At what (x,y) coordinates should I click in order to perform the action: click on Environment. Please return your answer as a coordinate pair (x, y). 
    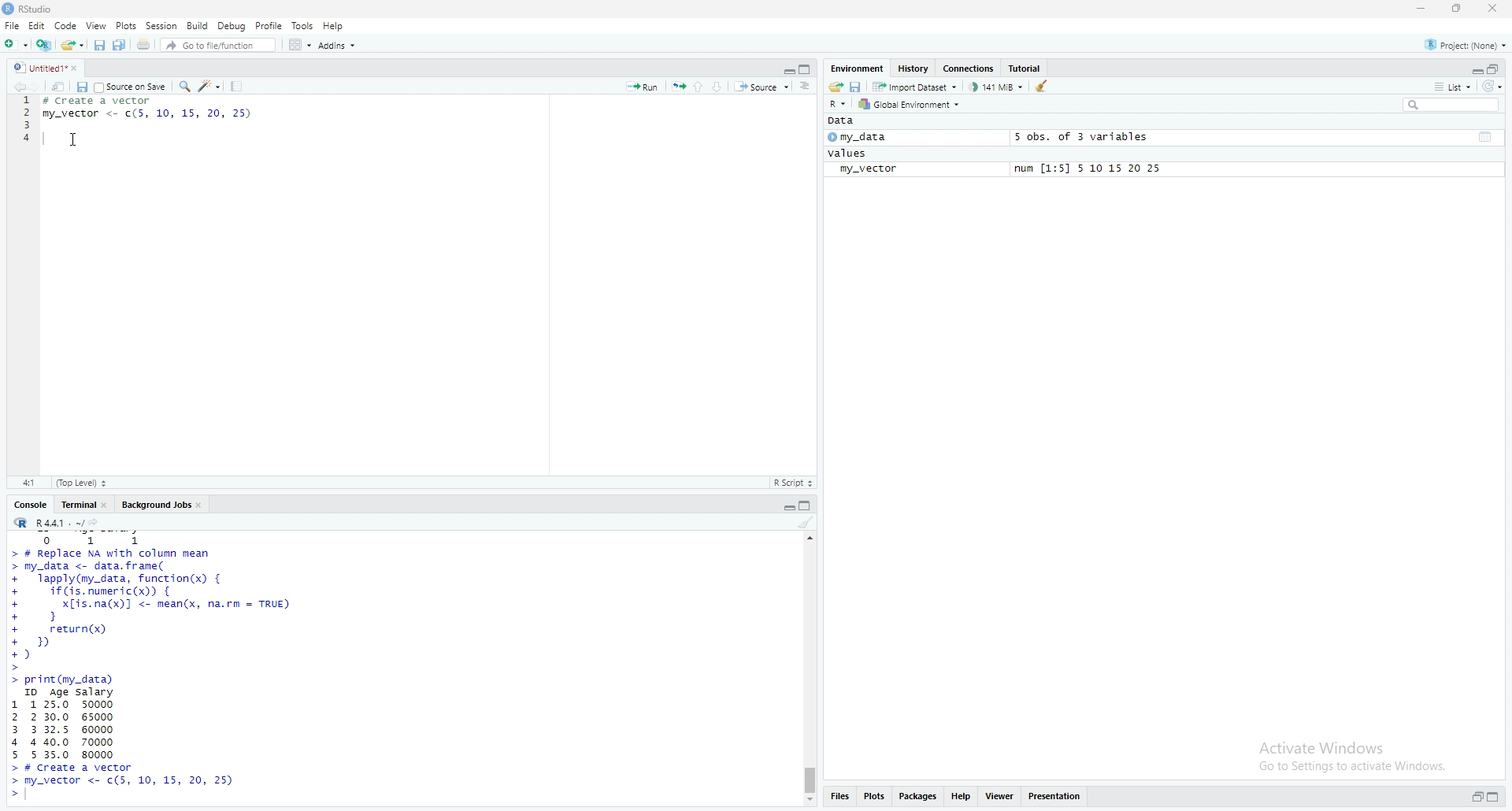
    Looking at the image, I should click on (858, 69).